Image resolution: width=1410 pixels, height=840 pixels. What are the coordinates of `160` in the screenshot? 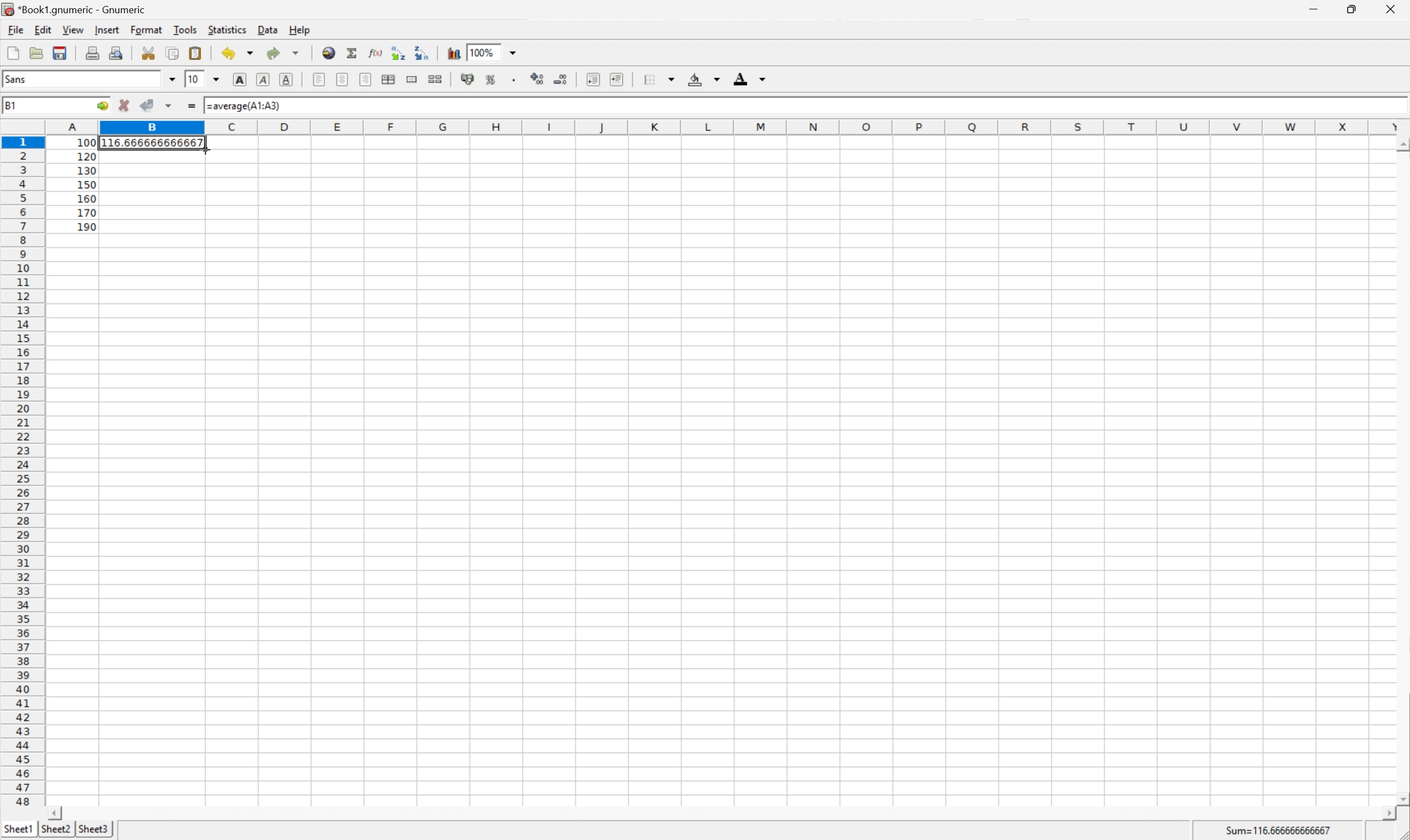 It's located at (87, 197).